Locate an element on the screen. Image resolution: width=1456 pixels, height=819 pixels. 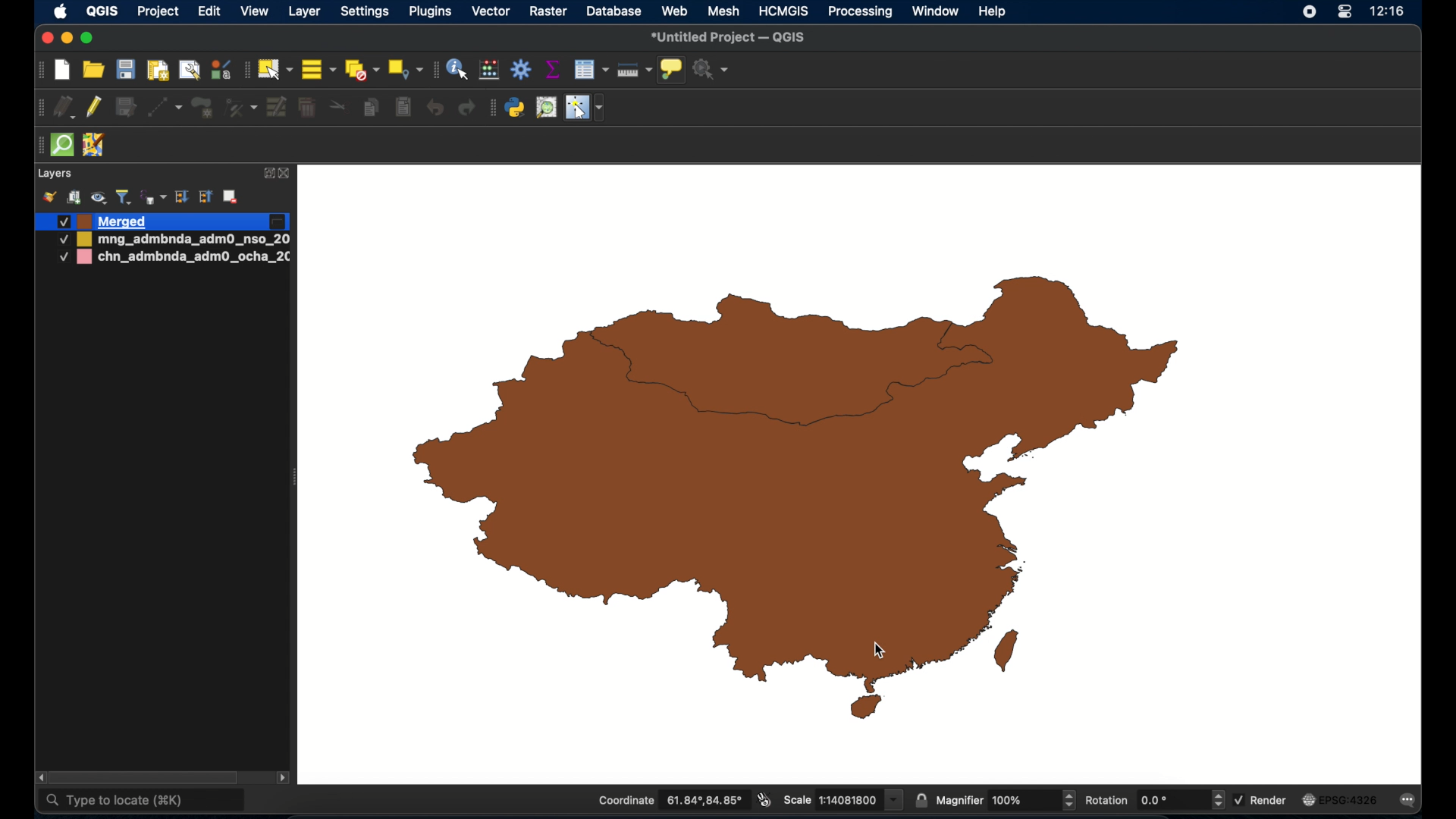
current edits is located at coordinates (66, 109).